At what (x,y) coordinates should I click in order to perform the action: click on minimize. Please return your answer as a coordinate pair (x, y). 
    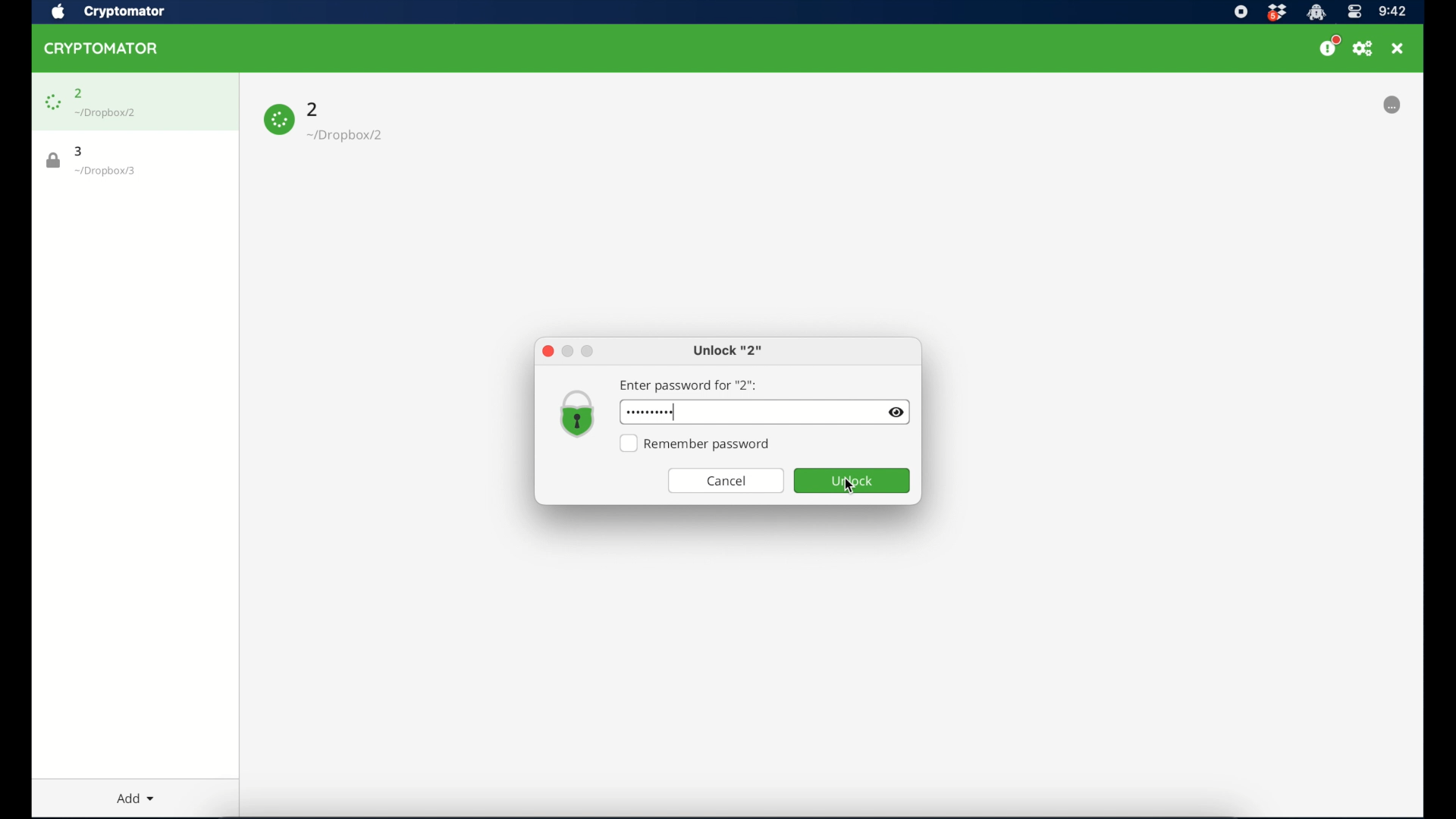
    Looking at the image, I should click on (568, 350).